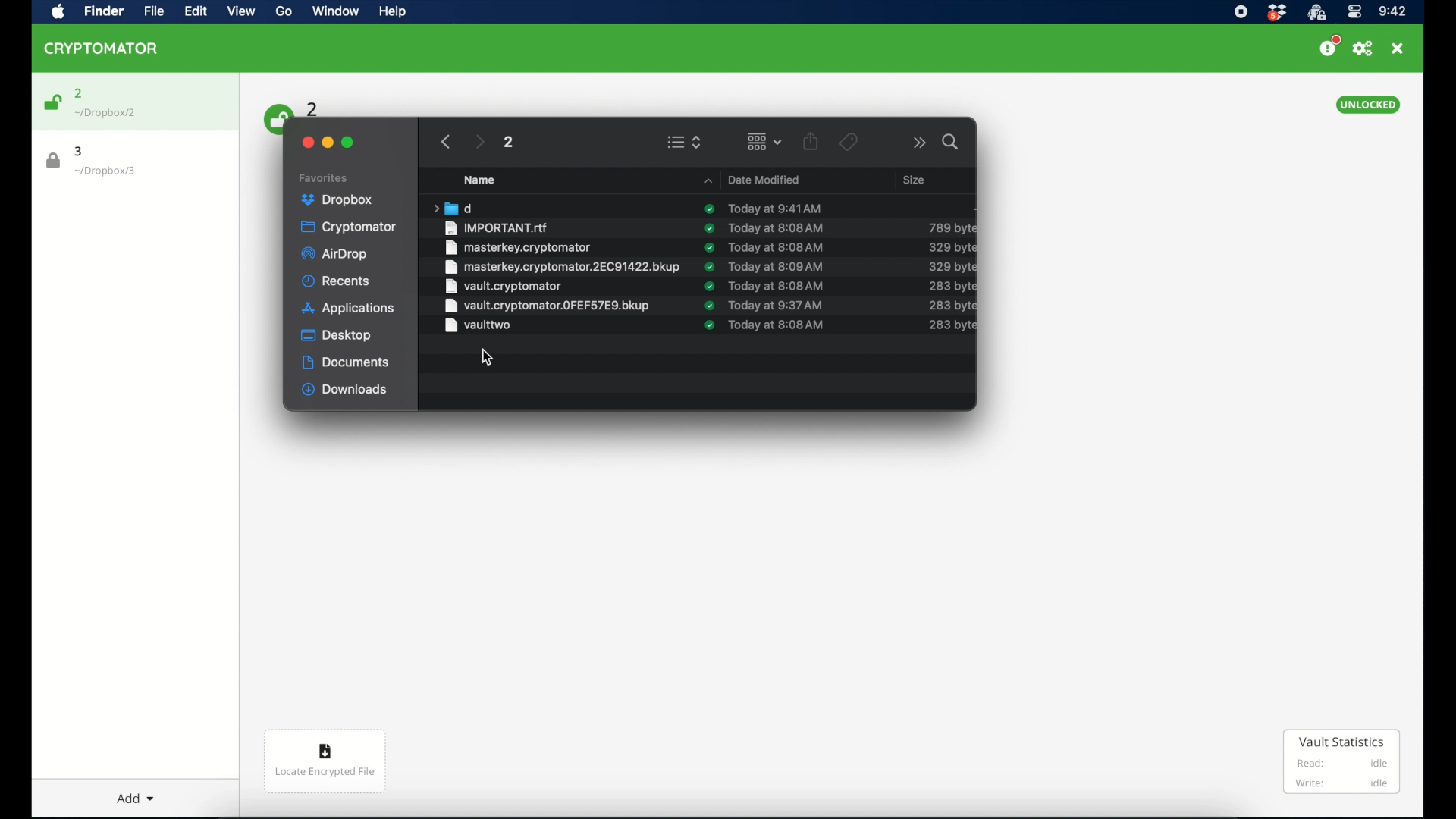 The image size is (1456, 819). Describe the element at coordinates (507, 142) in the screenshot. I see `2` at that location.